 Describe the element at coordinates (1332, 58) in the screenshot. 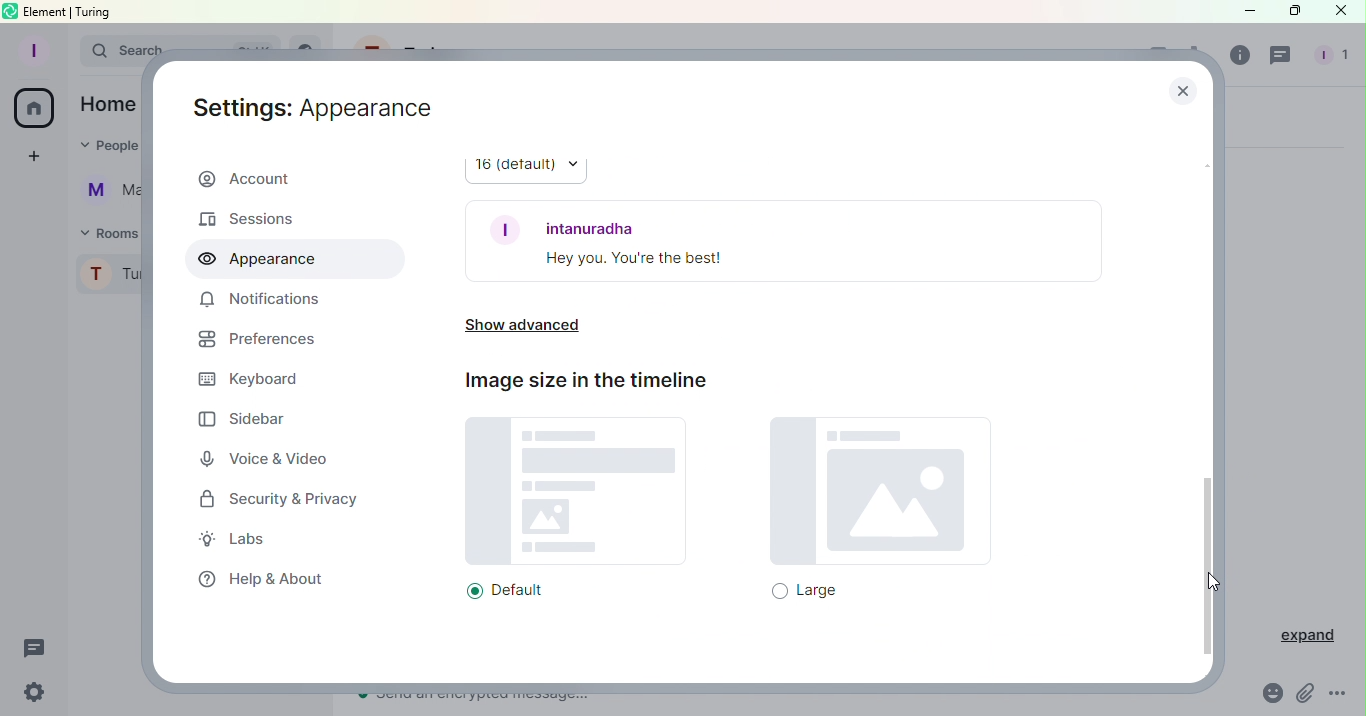

I see `People` at that location.